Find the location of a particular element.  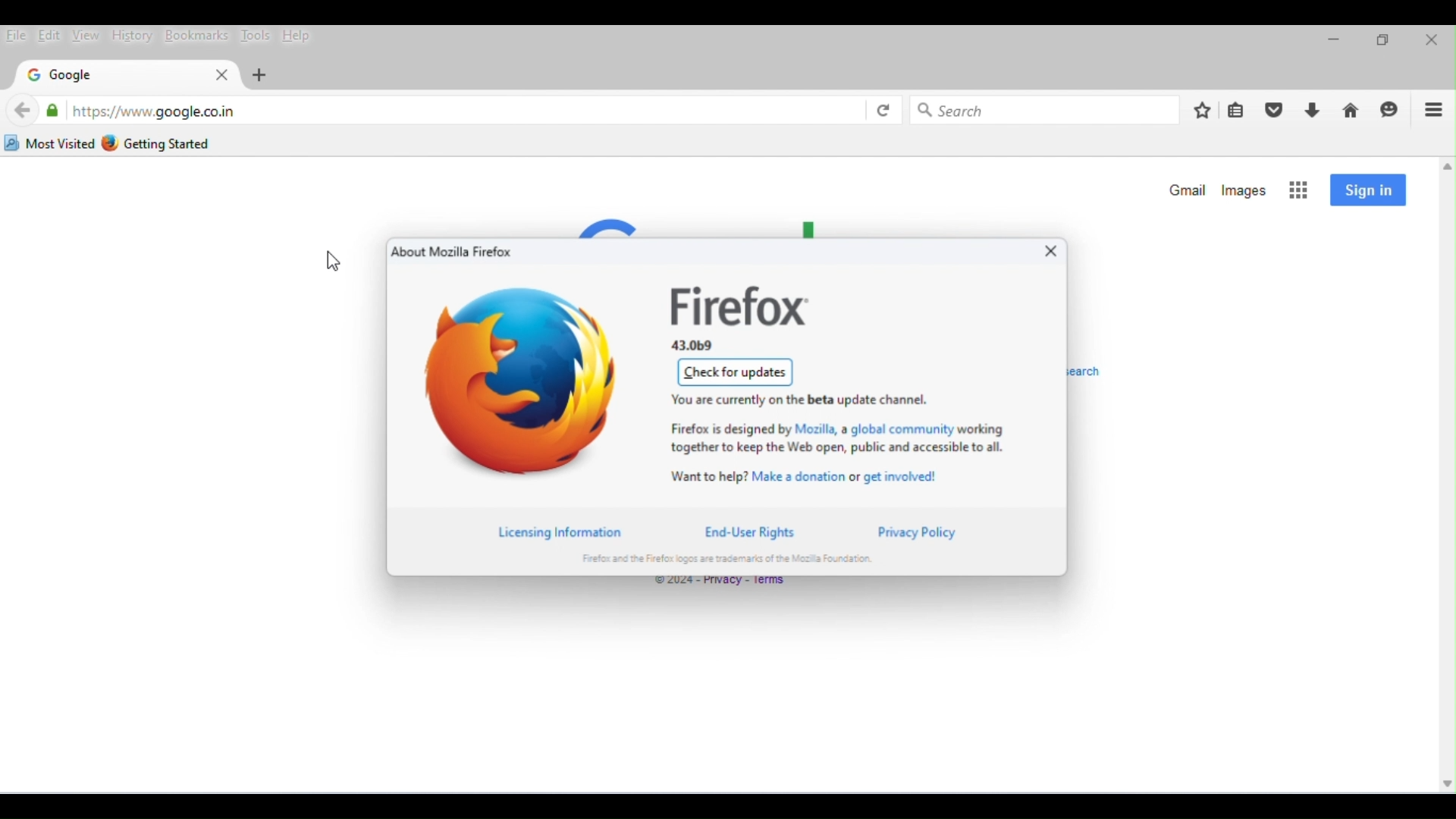

privacy policy is located at coordinates (918, 532).